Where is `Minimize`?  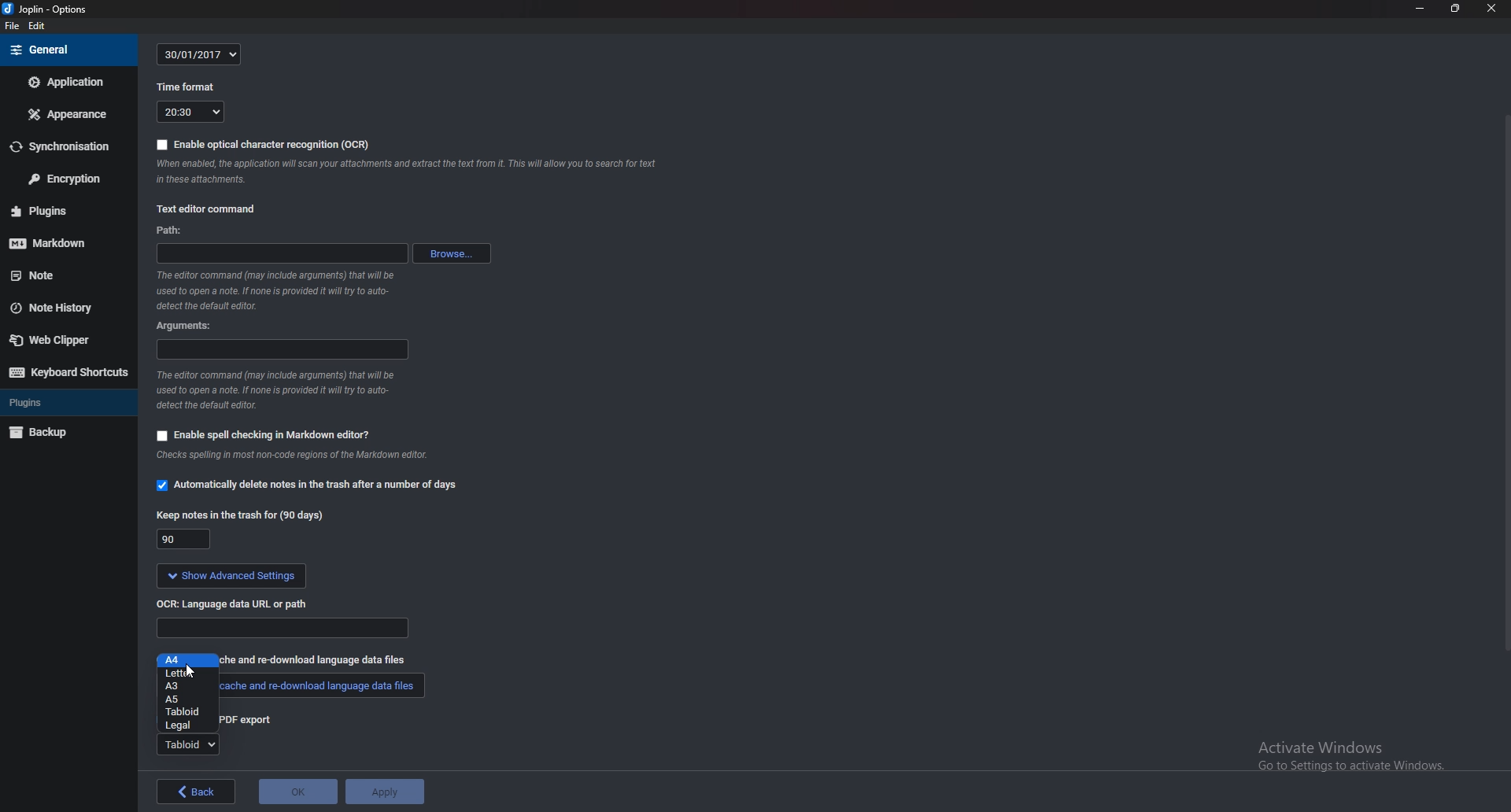 Minimize is located at coordinates (1421, 9).